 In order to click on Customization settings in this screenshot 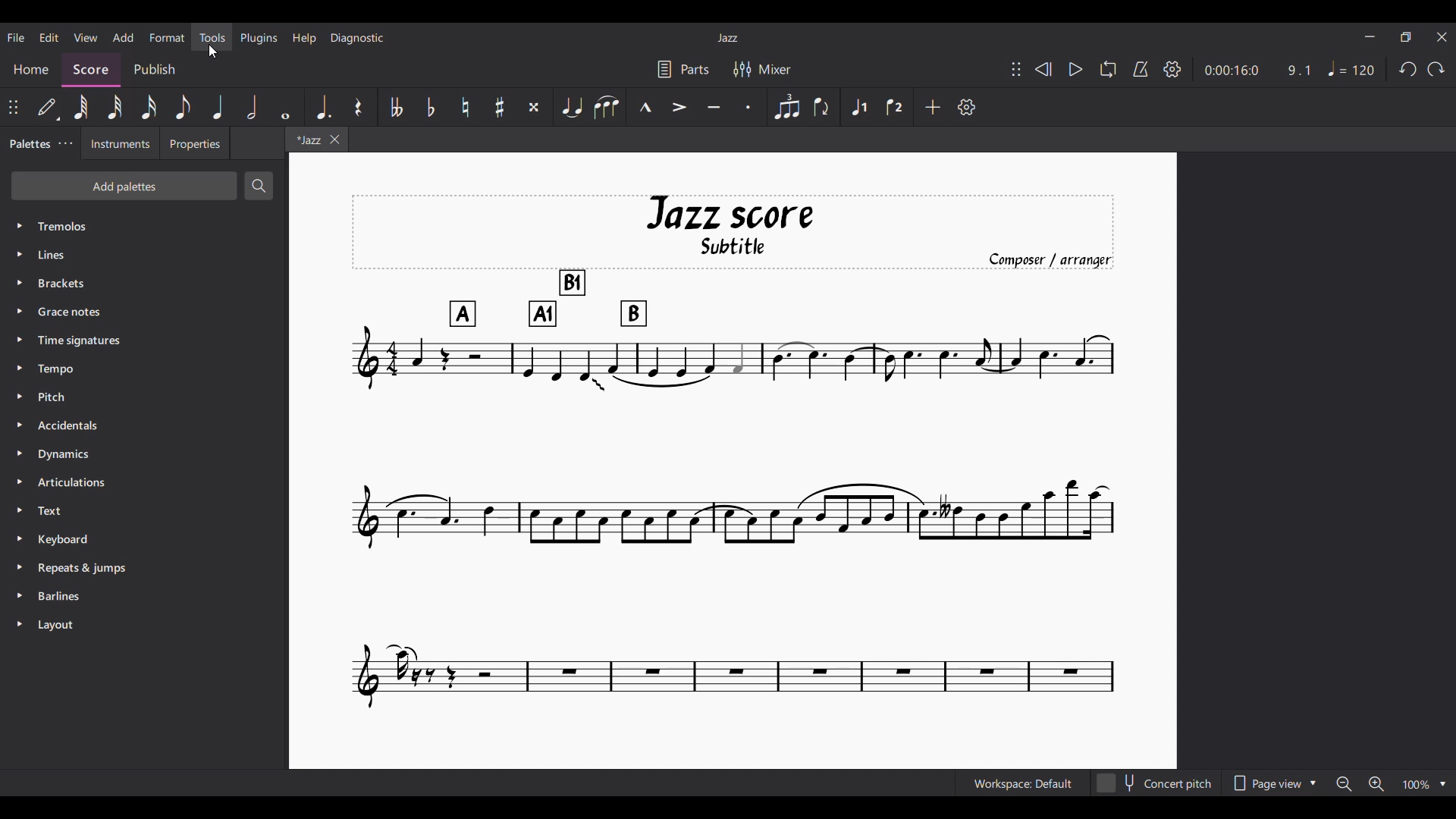, I will do `click(966, 107)`.